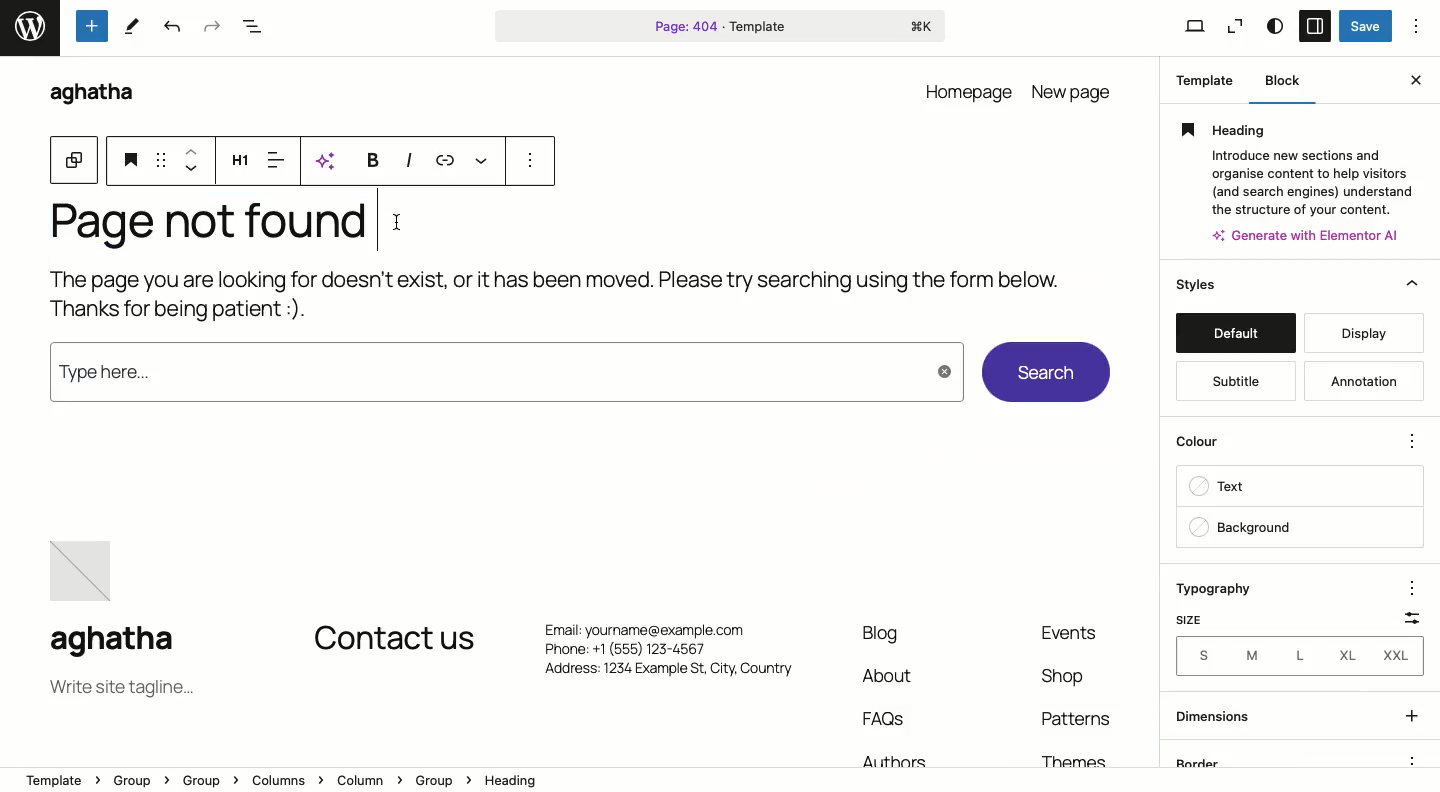 This screenshot has width=1440, height=792. I want to click on XL, so click(1350, 657).